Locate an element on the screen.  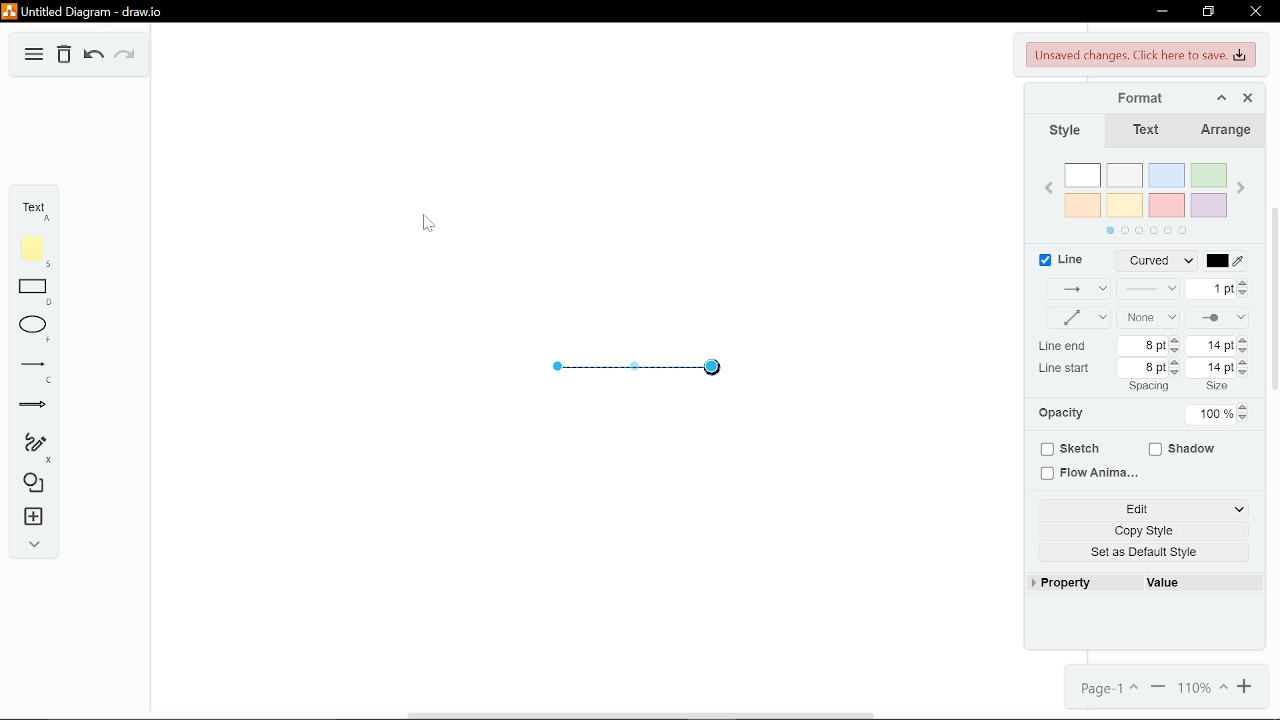
Colors is located at coordinates (1146, 202).